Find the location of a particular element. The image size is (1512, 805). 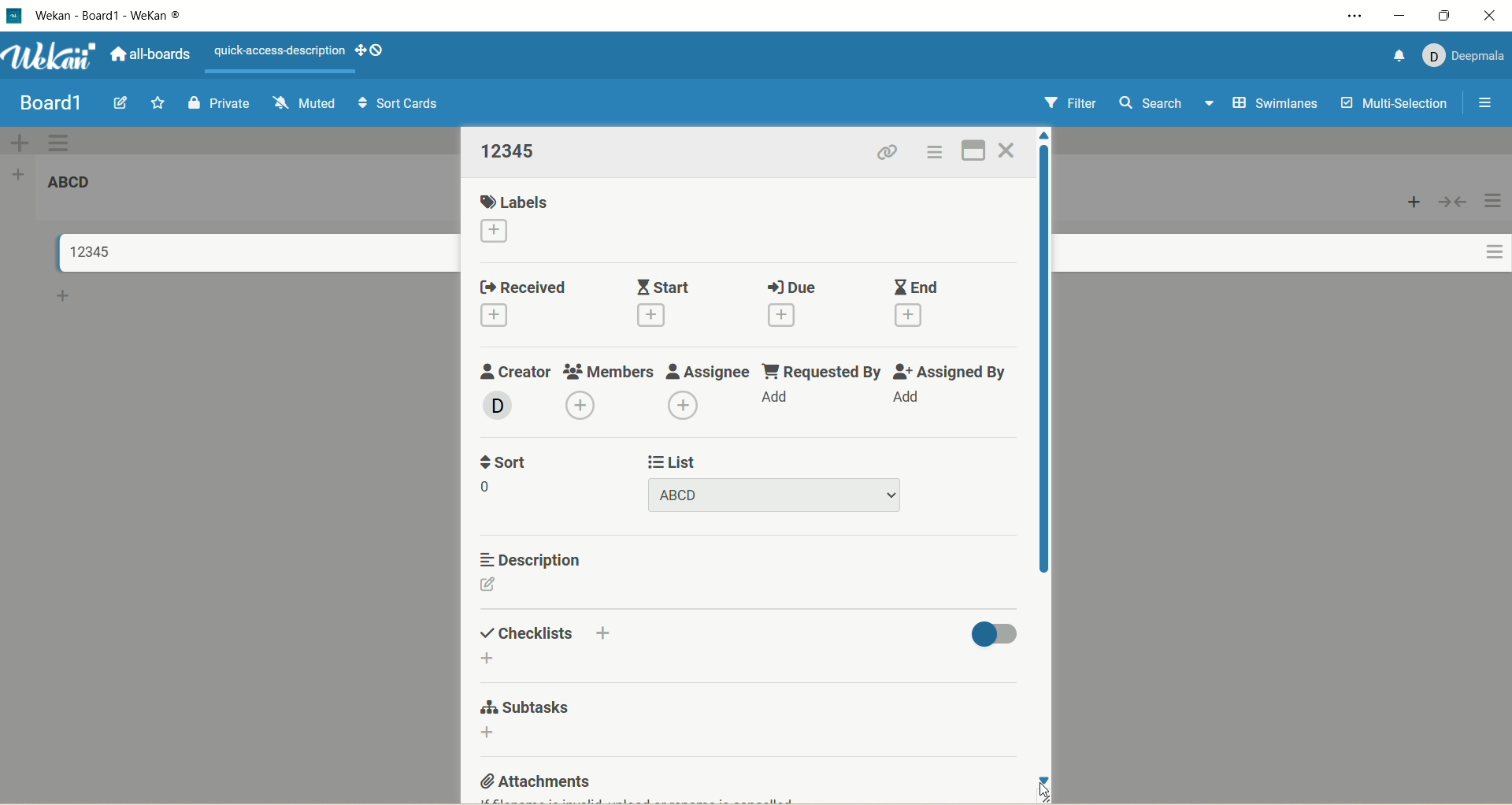

copy card link to clipboard is located at coordinates (888, 154).